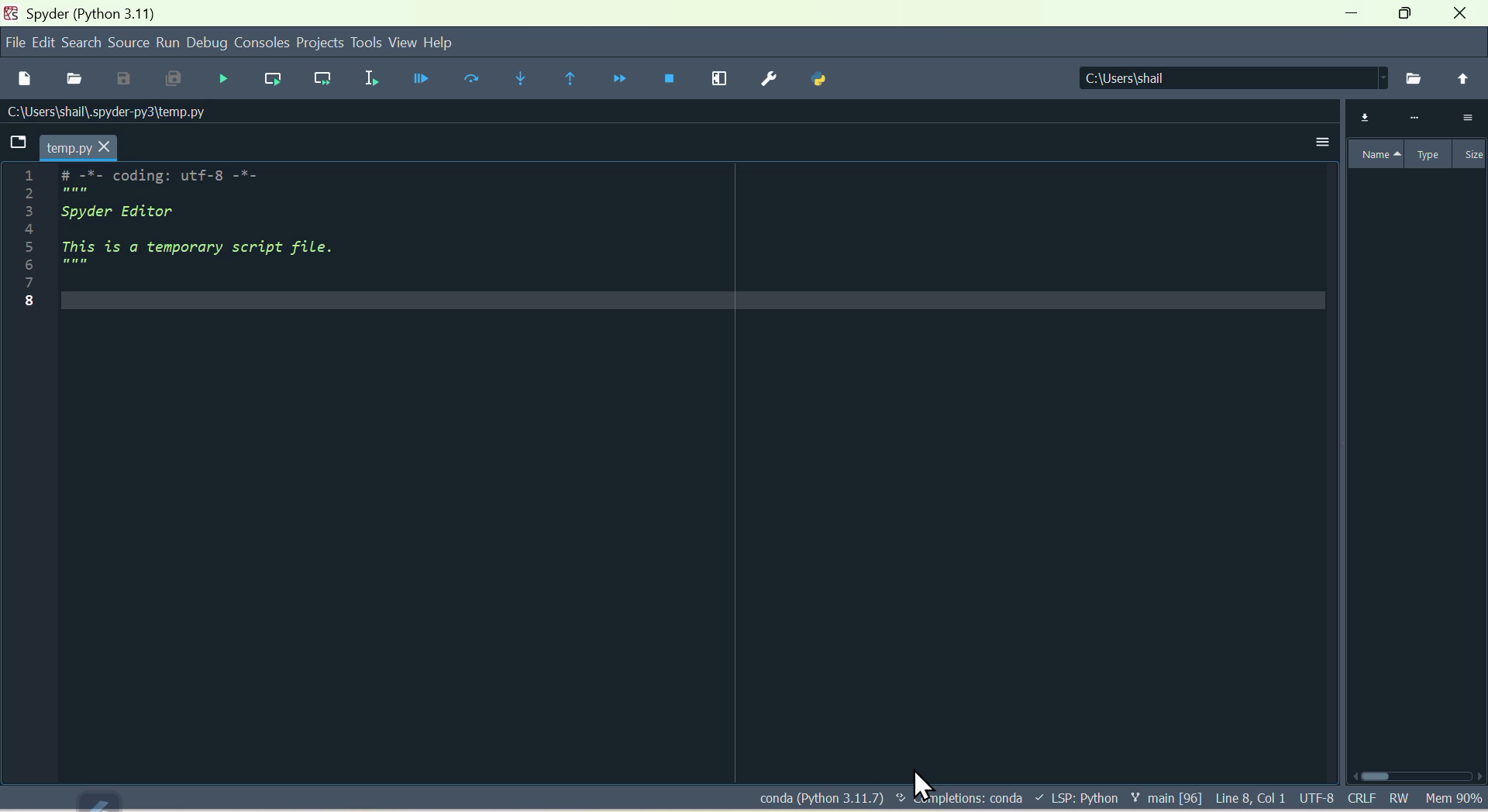 This screenshot has width=1488, height=812. Describe the element at coordinates (320, 42) in the screenshot. I see `Projects` at that location.